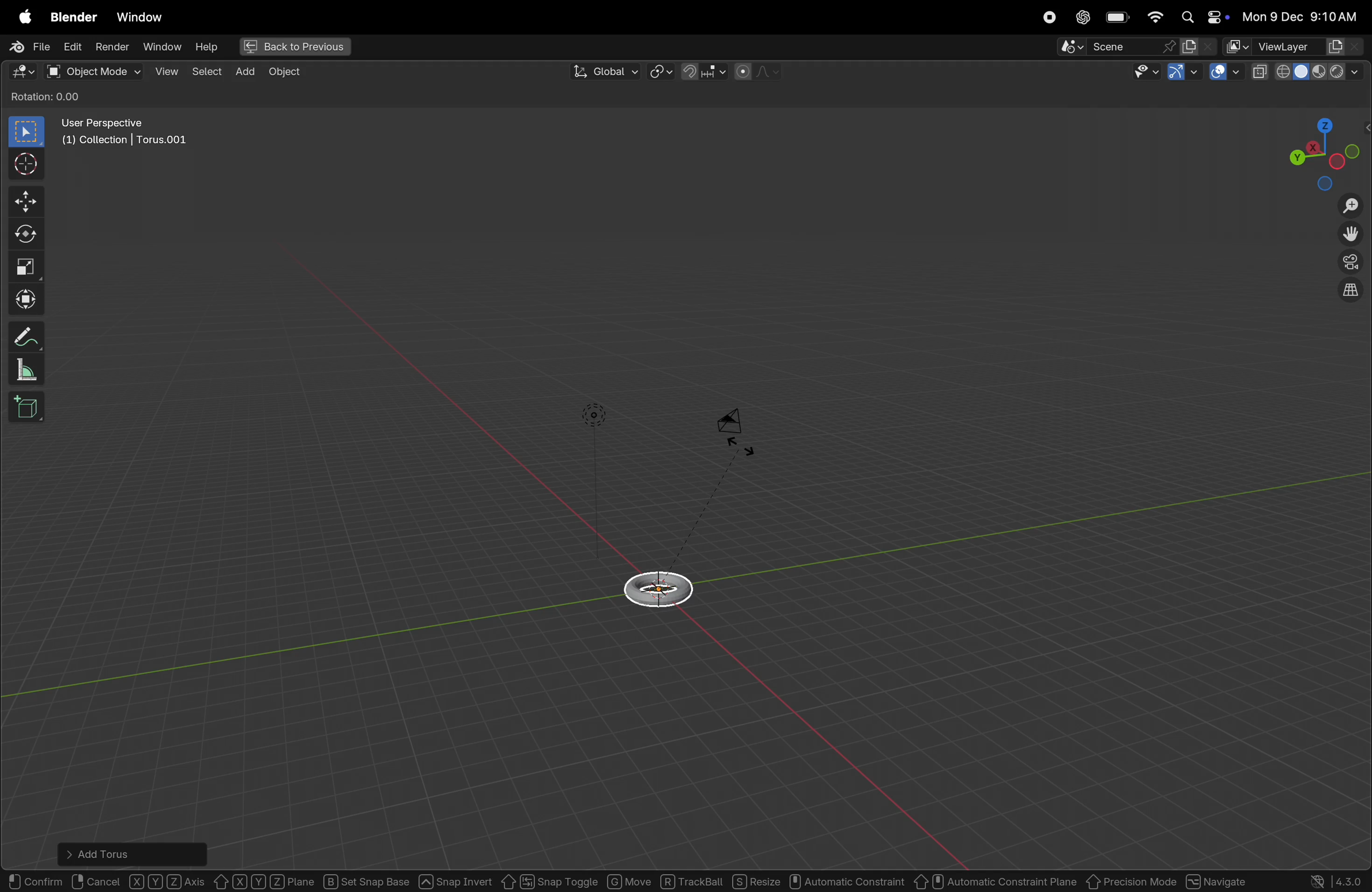  Describe the element at coordinates (28, 334) in the screenshot. I see `annotate` at that location.